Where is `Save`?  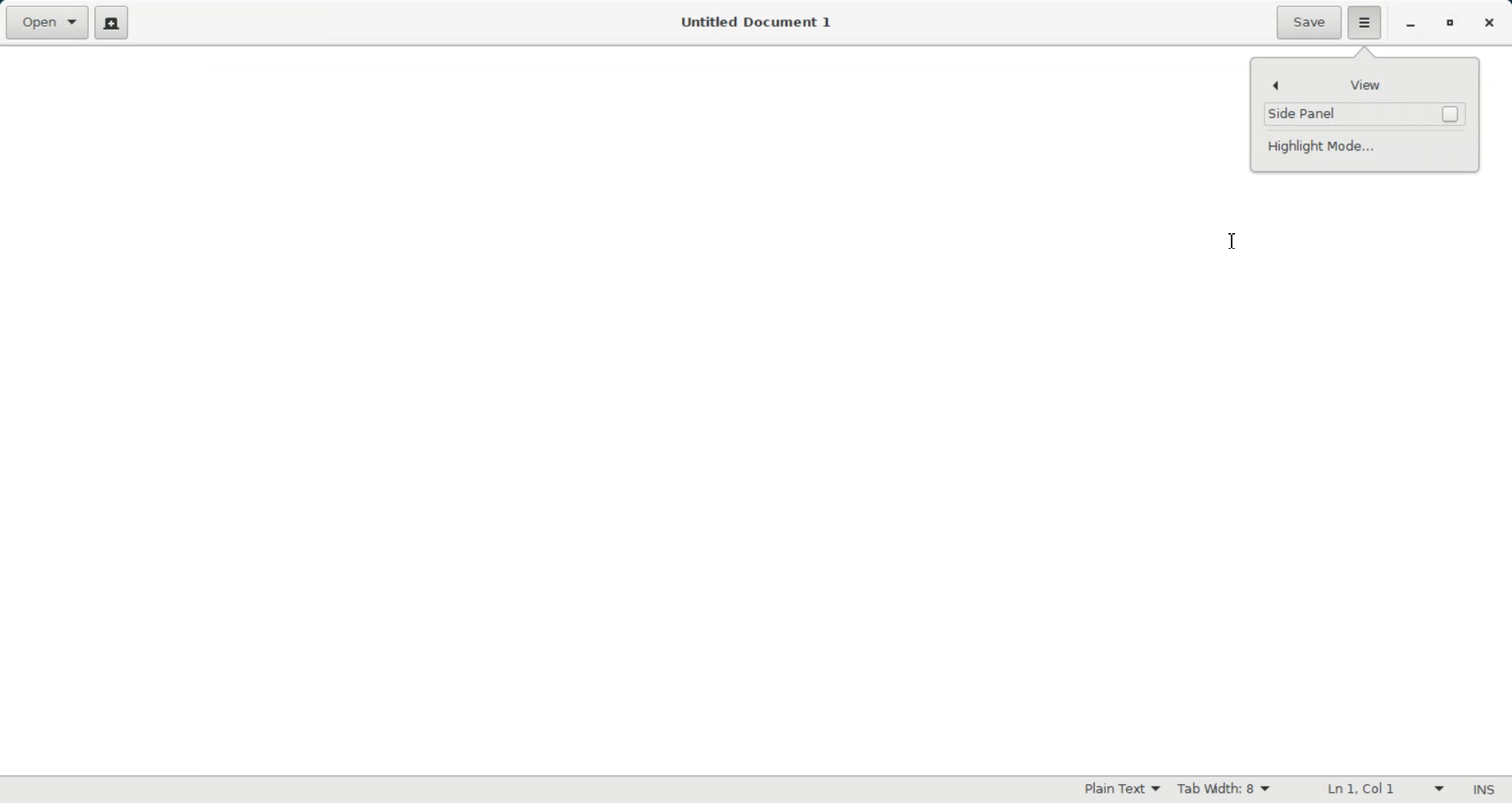 Save is located at coordinates (1307, 23).